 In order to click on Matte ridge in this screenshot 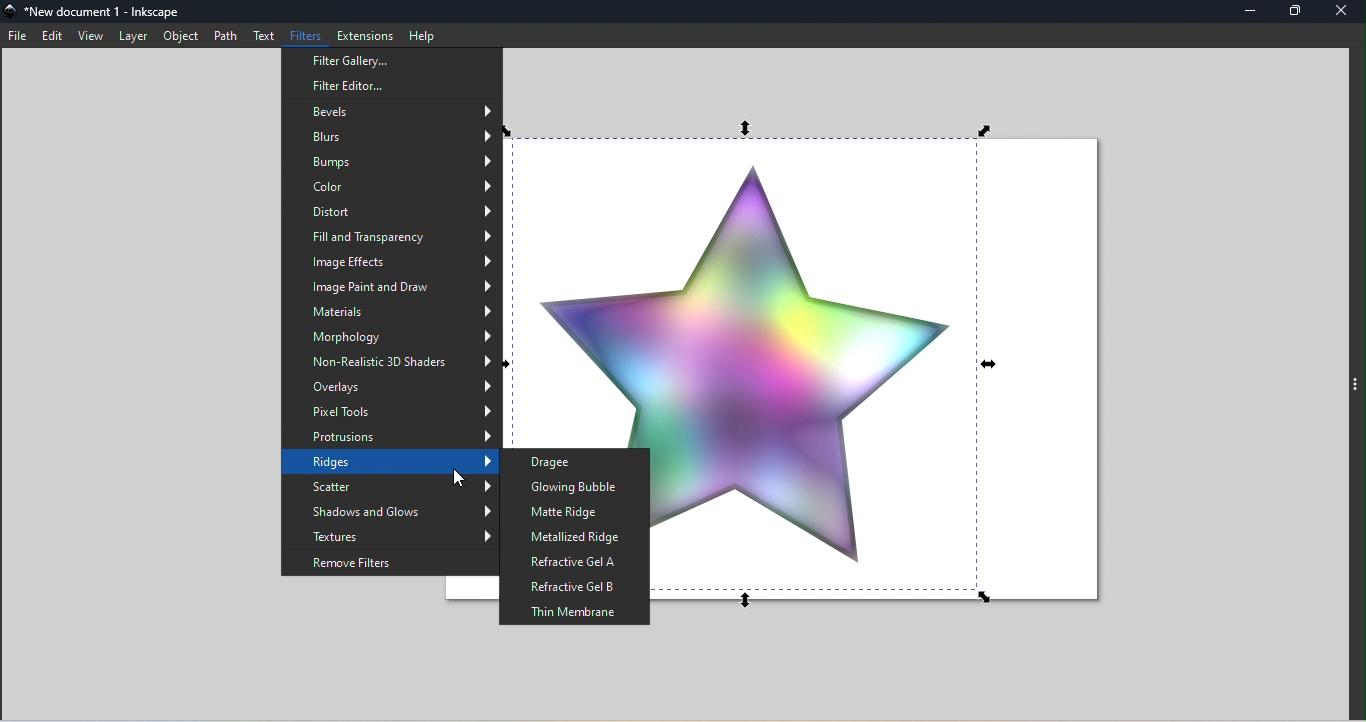, I will do `click(576, 510)`.